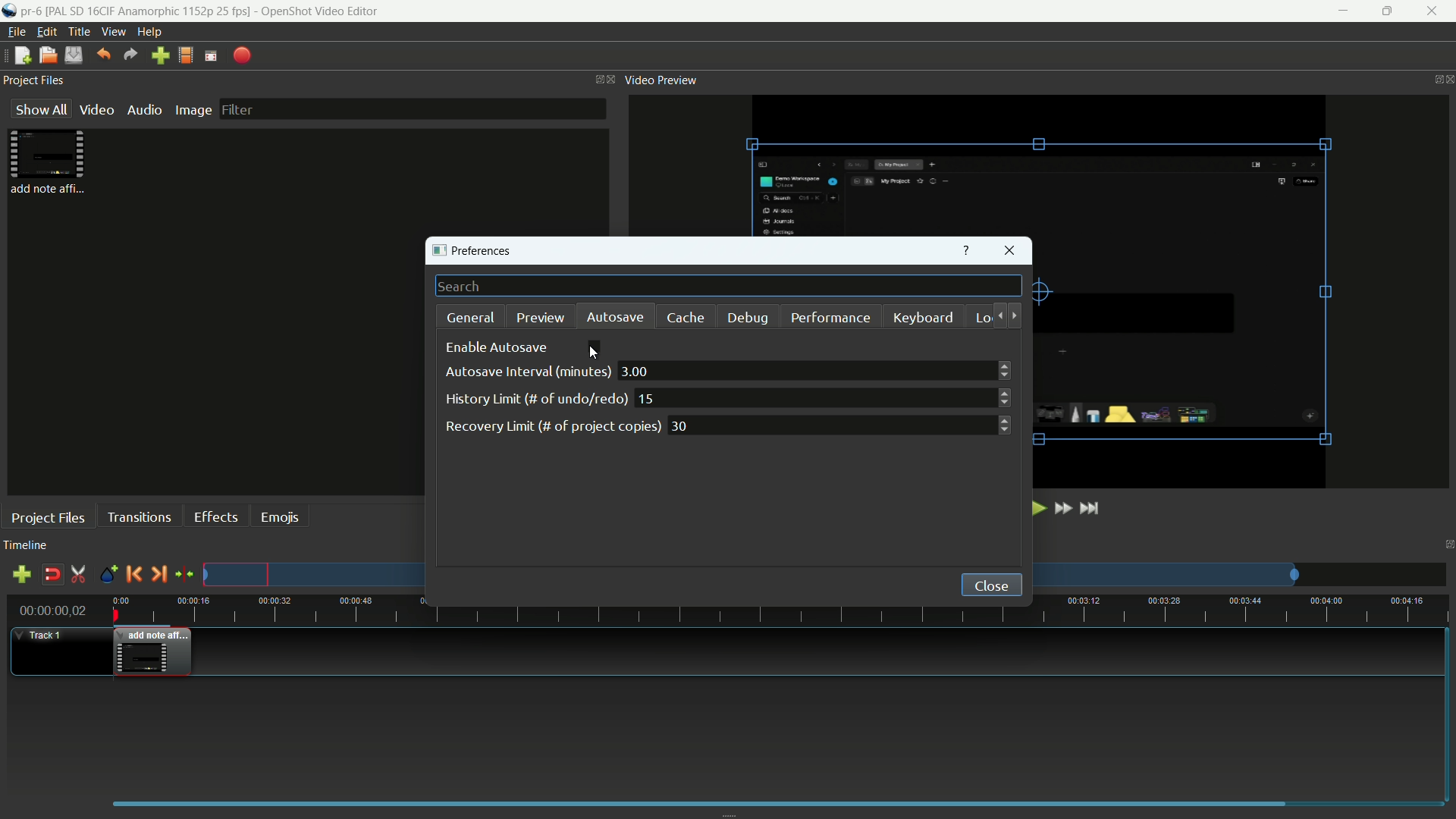 The height and width of the screenshot is (819, 1456). What do you see at coordinates (133, 574) in the screenshot?
I see `previous marker` at bounding box center [133, 574].